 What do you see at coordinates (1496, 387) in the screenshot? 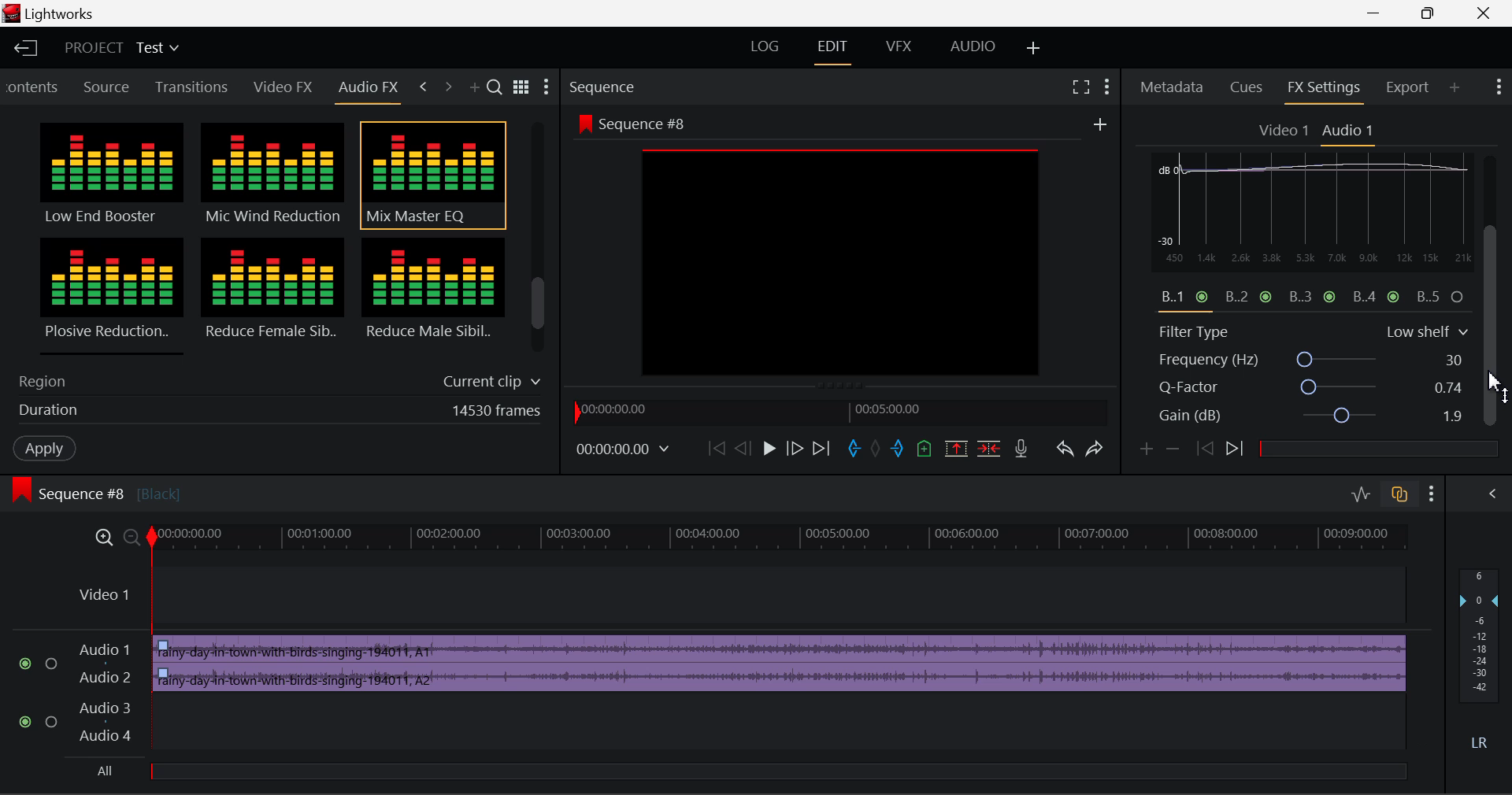
I see `MOUSE_UP Cursor Position` at bounding box center [1496, 387].